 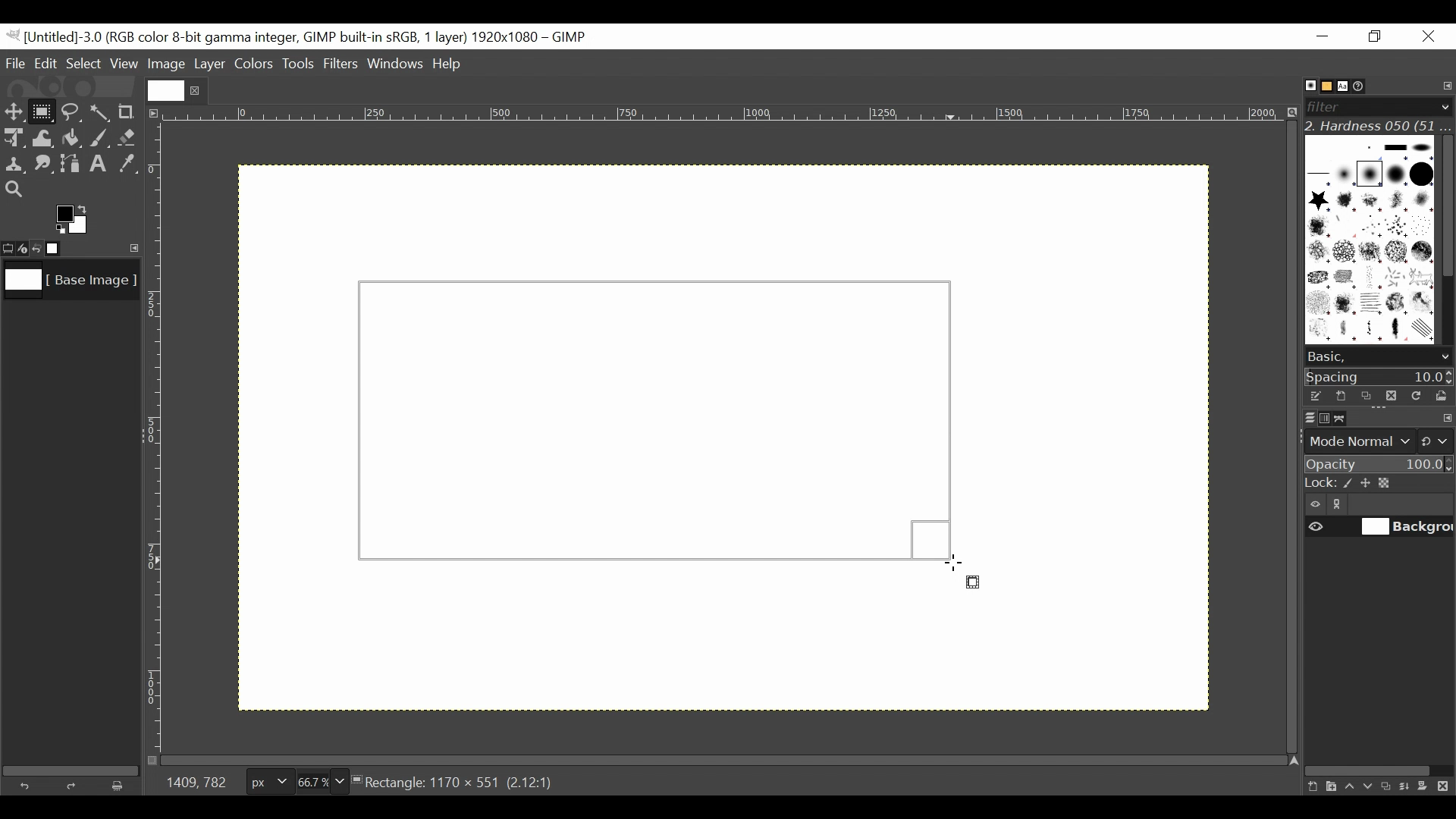 What do you see at coordinates (1378, 37) in the screenshot?
I see `Restore` at bounding box center [1378, 37].